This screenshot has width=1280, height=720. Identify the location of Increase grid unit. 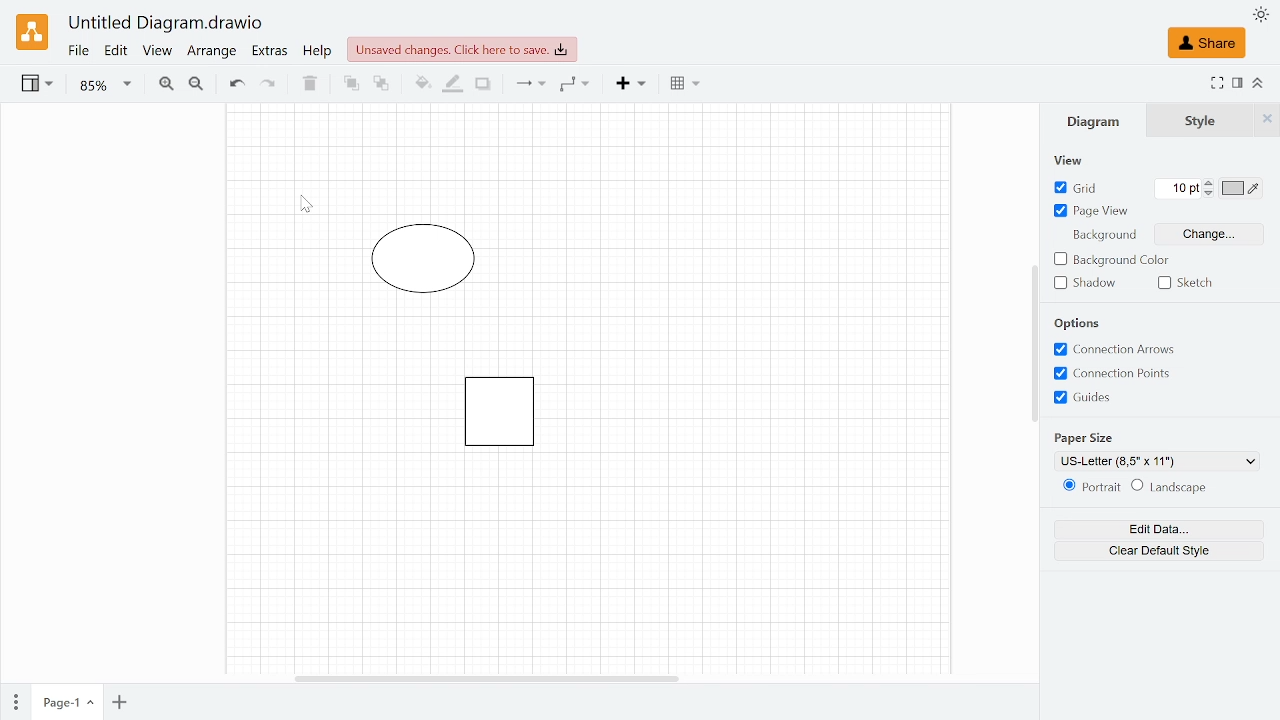
(1210, 182).